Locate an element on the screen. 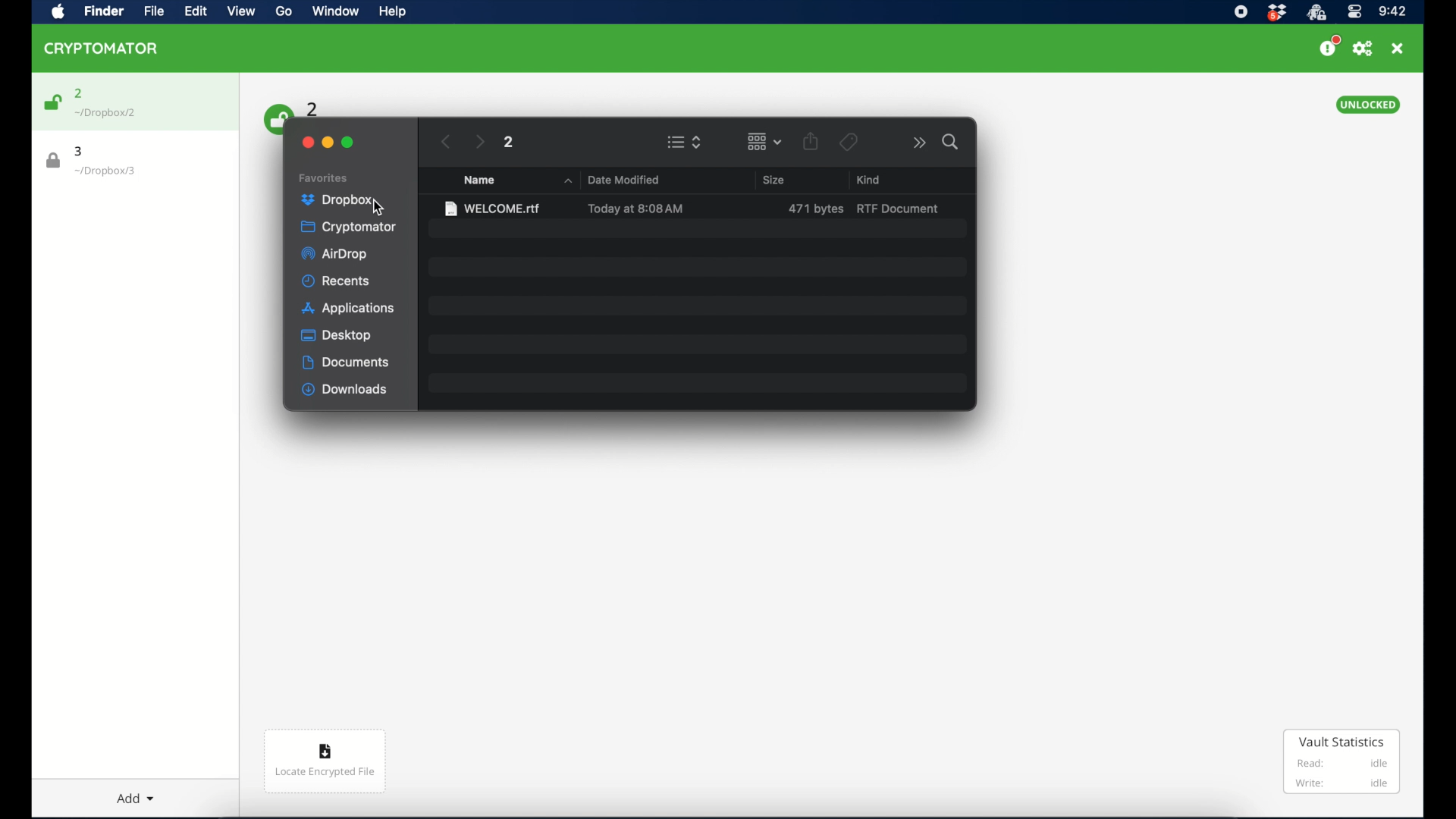  2 is located at coordinates (79, 93).